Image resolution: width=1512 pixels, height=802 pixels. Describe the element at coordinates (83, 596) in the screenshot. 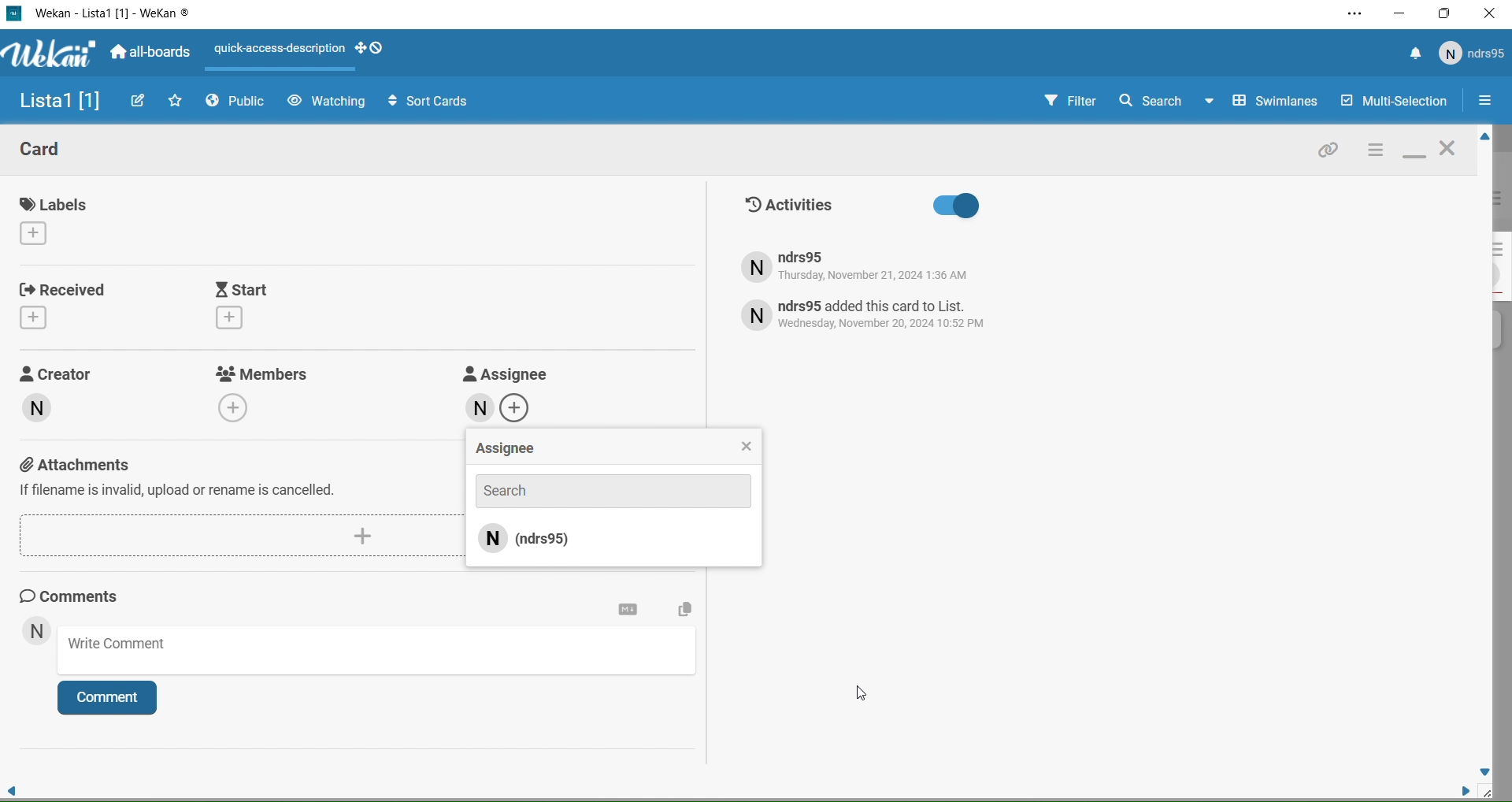

I see `Comments` at that location.